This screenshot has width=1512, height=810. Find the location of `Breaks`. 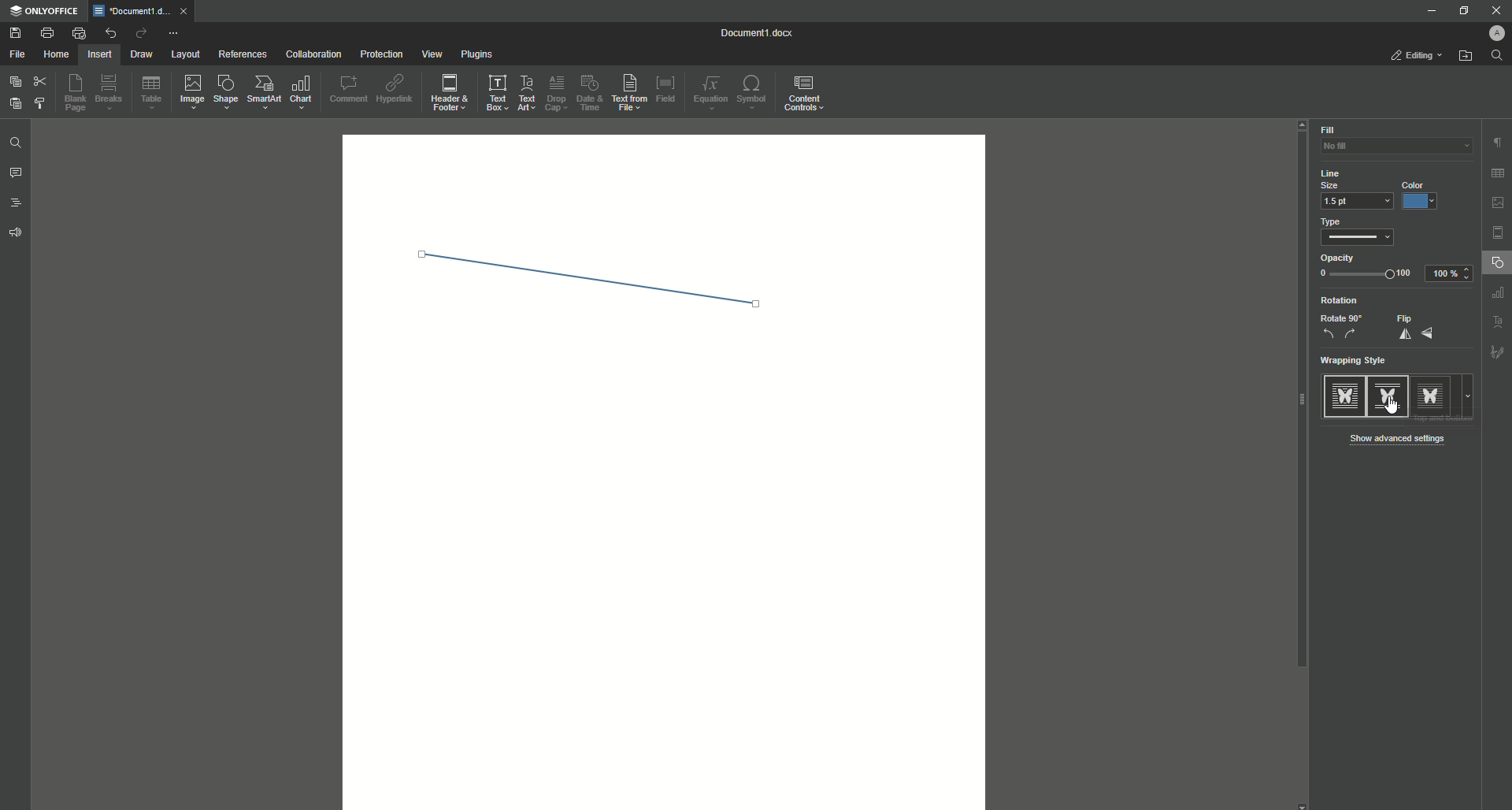

Breaks is located at coordinates (112, 94).